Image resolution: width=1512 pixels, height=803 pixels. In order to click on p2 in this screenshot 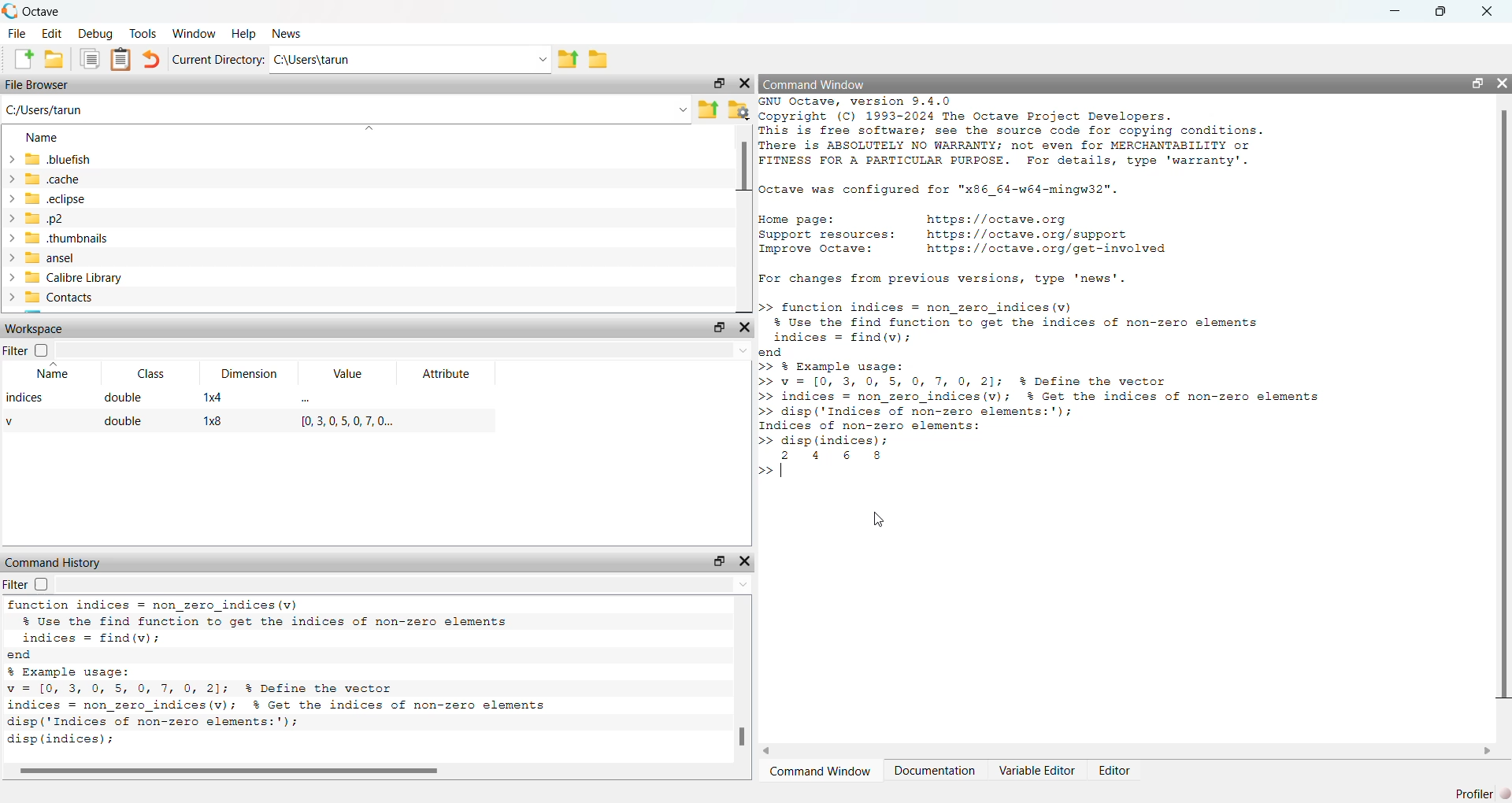, I will do `click(41, 220)`.